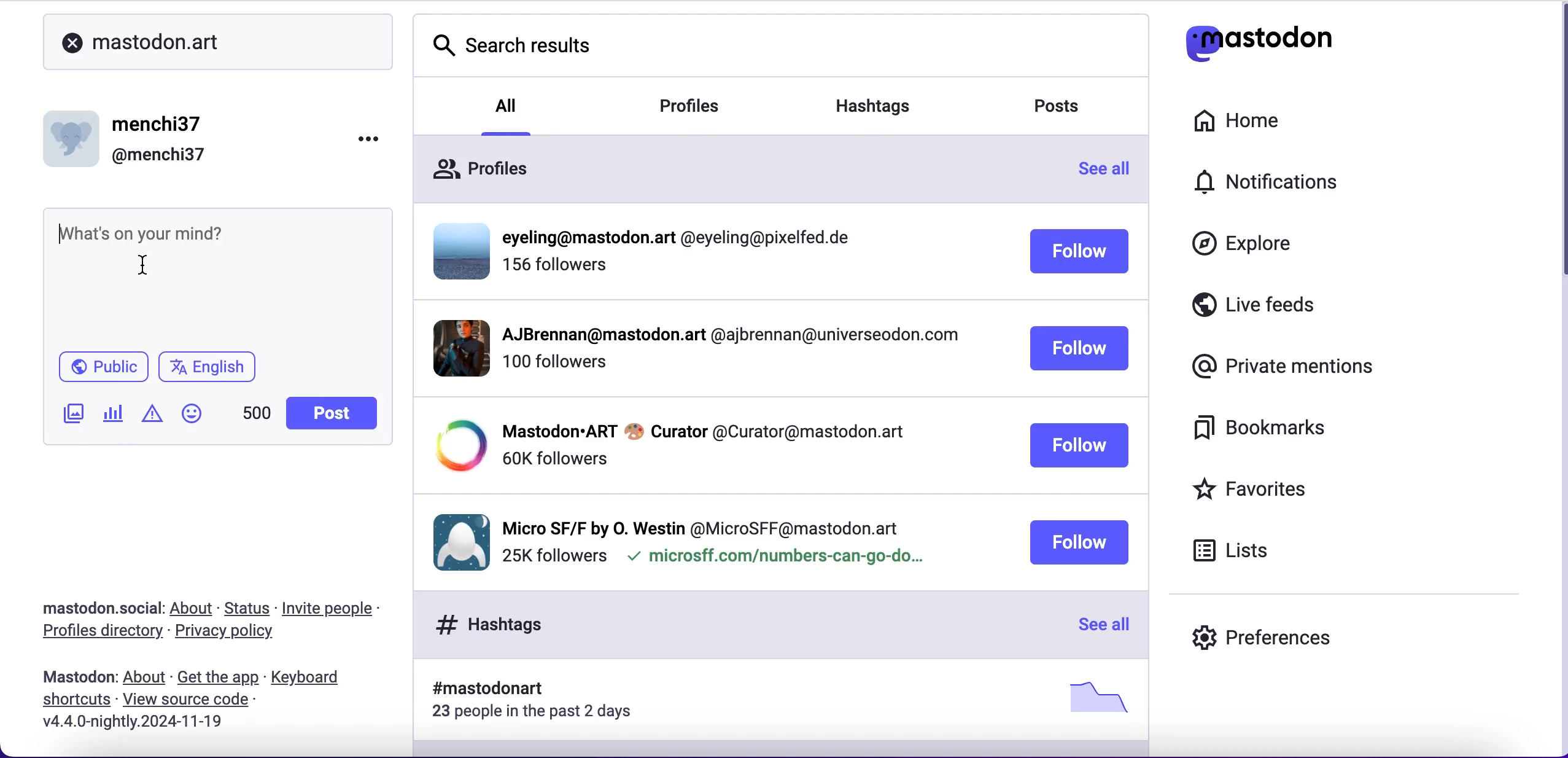 Image resolution: width=1568 pixels, height=758 pixels. Describe the element at coordinates (1078, 542) in the screenshot. I see `follow` at that location.